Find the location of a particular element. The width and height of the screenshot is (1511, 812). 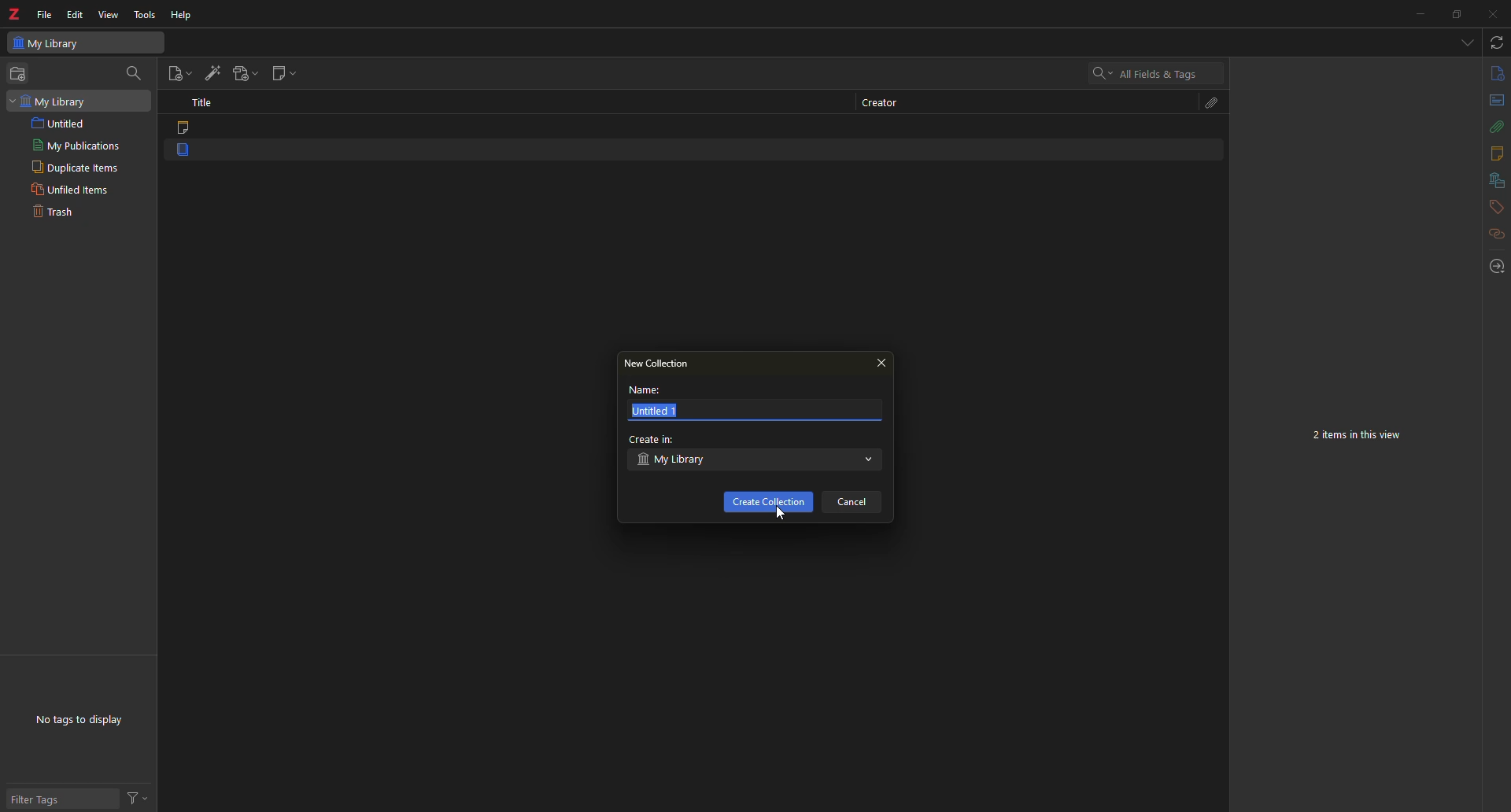

add item is located at coordinates (214, 72).